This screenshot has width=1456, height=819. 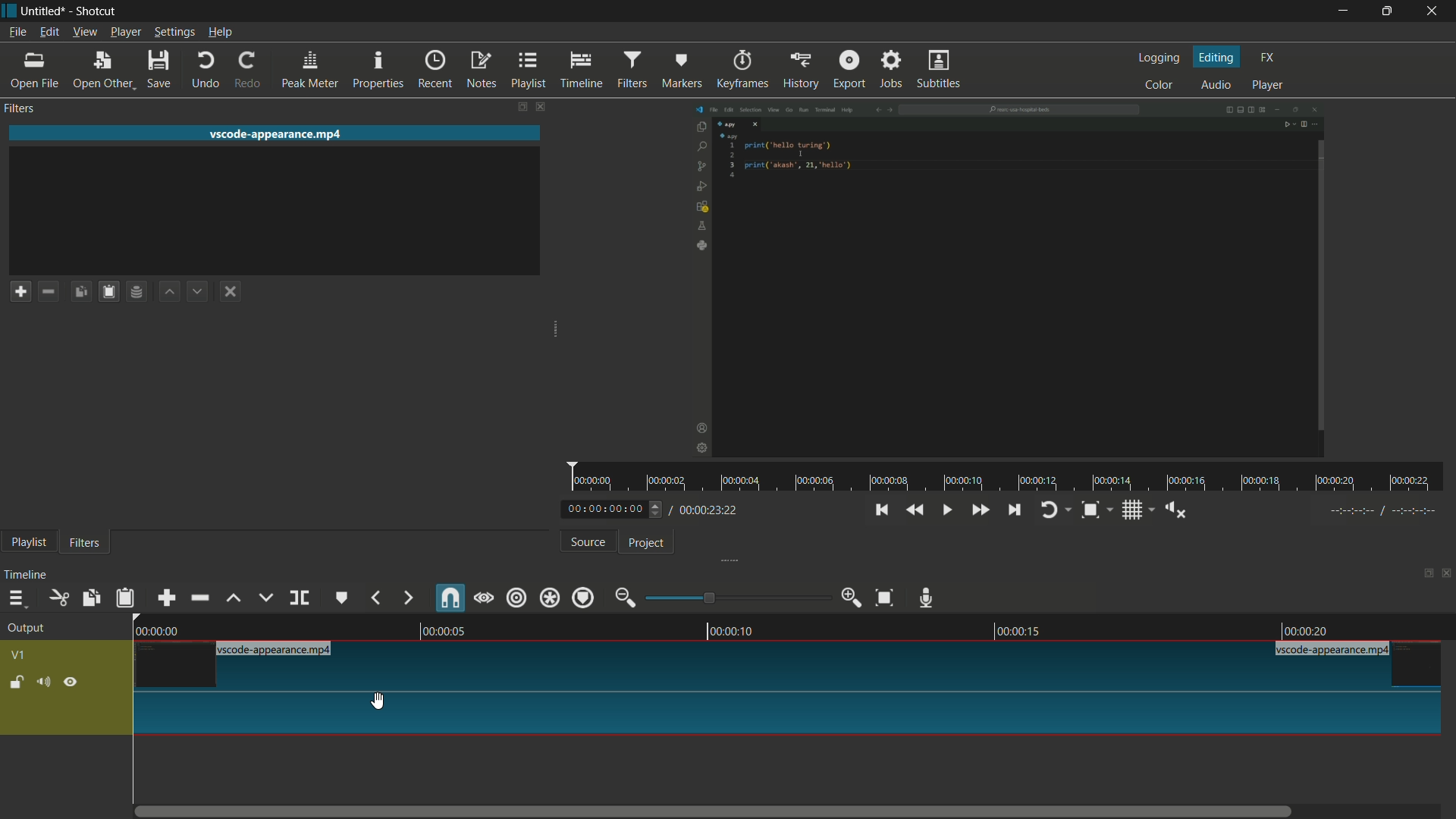 I want to click on properties, so click(x=379, y=71).